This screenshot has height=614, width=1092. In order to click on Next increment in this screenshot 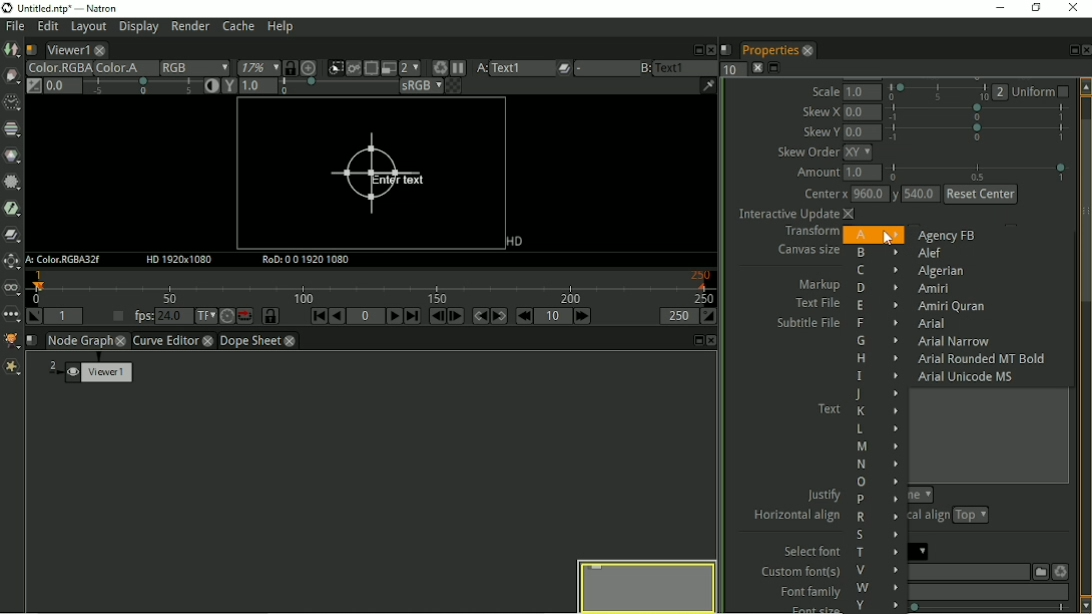, I will do `click(584, 316)`.